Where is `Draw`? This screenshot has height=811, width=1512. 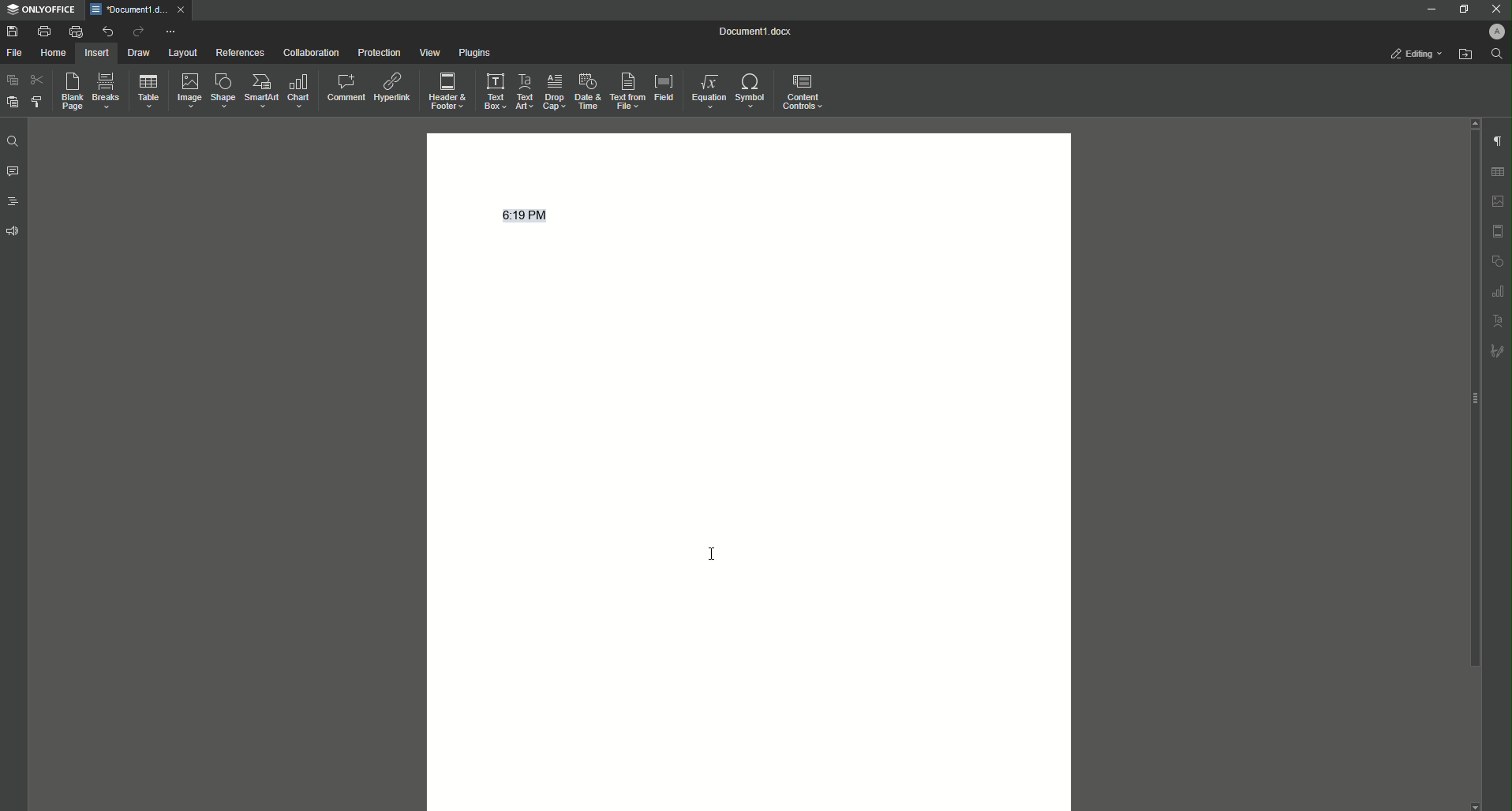 Draw is located at coordinates (139, 52).